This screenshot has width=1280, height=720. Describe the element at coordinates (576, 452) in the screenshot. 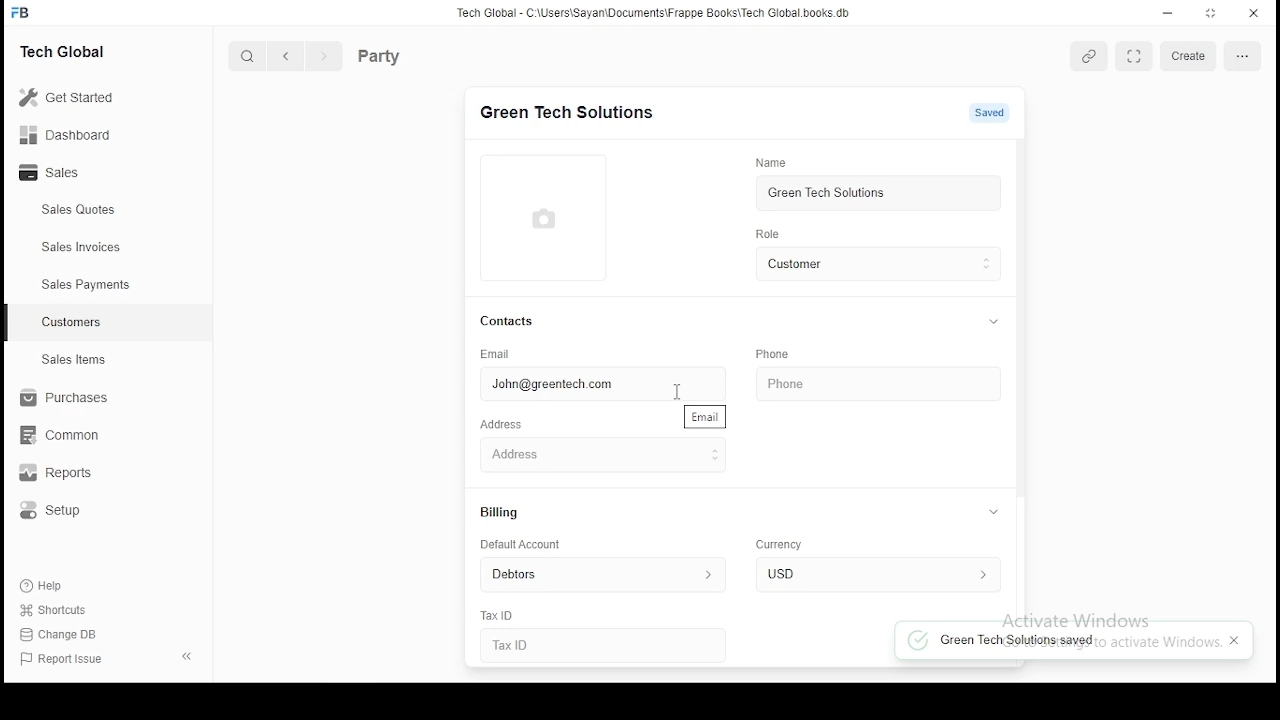

I see `address` at that location.